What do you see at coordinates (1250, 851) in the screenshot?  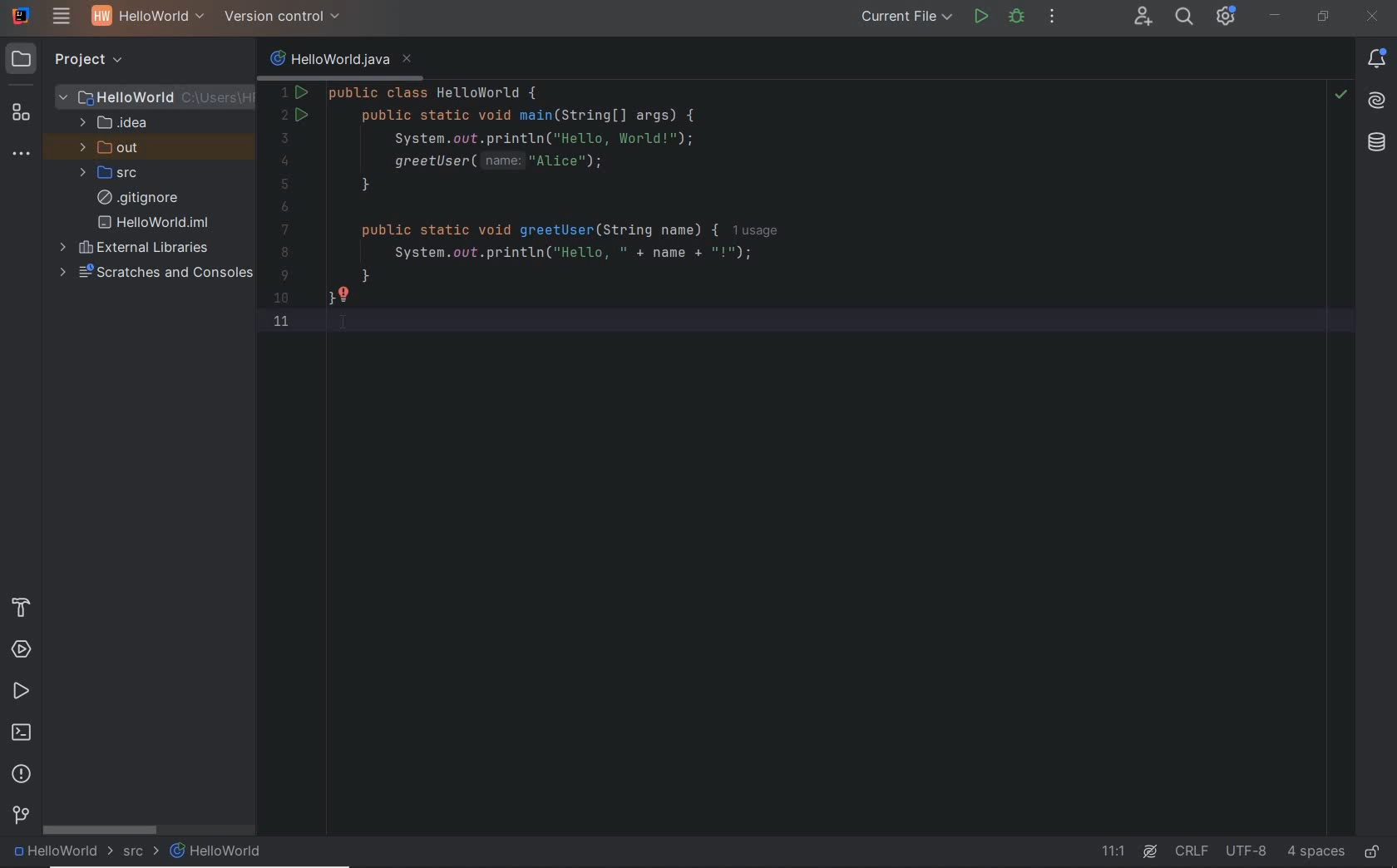 I see `UTF-8(file encoding)` at bounding box center [1250, 851].